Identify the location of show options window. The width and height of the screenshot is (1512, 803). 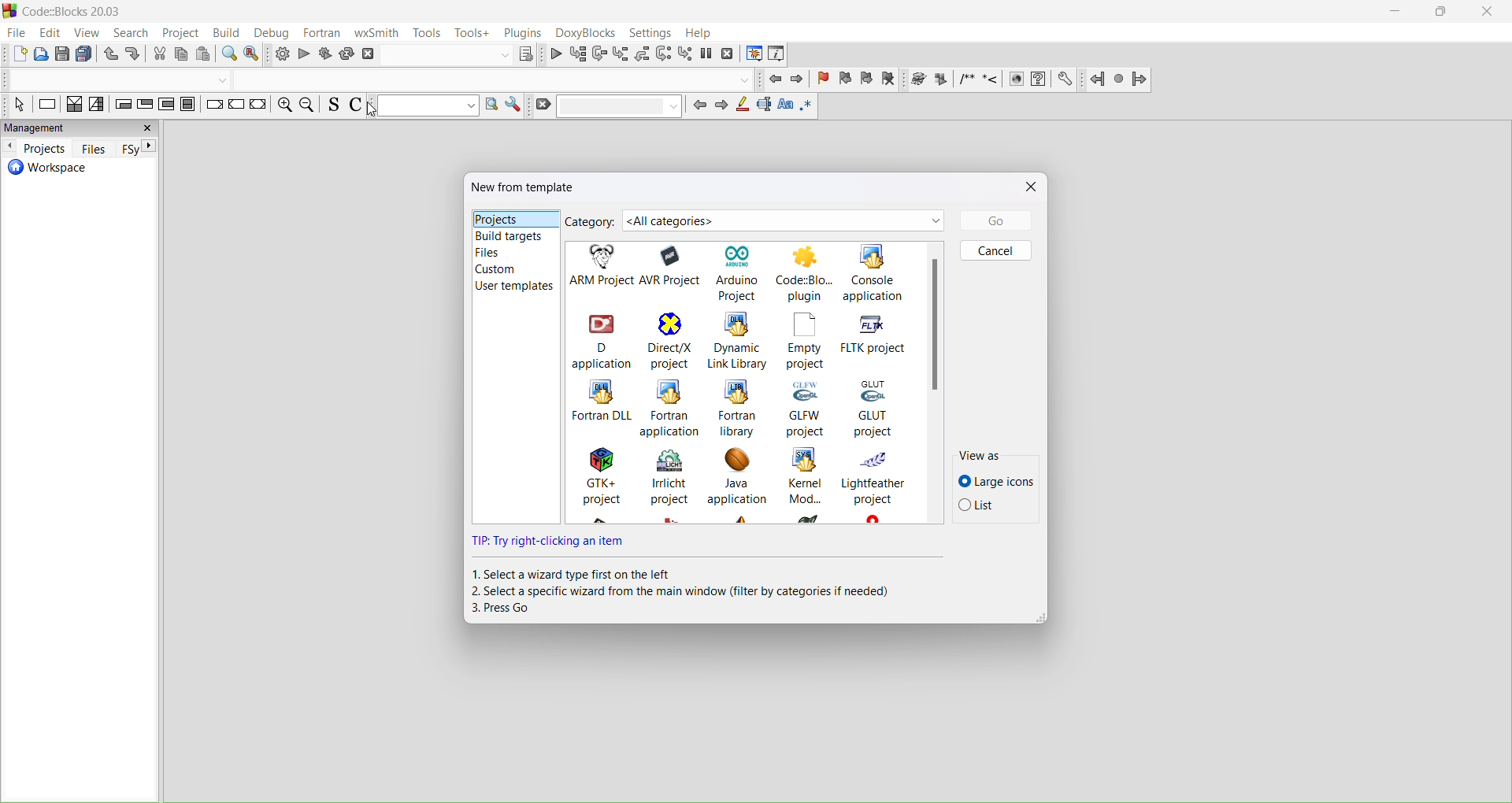
(513, 106).